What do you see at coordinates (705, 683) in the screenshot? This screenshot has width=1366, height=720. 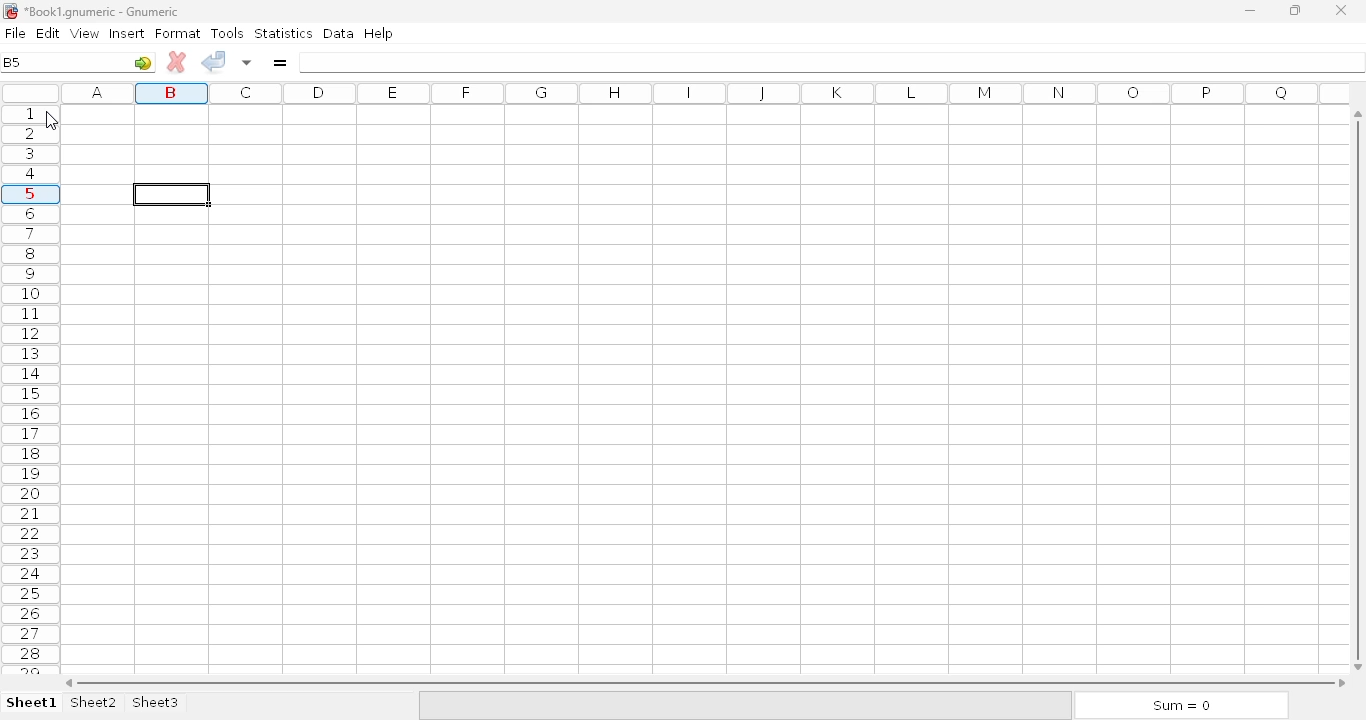 I see `horizontal scroll bar` at bounding box center [705, 683].